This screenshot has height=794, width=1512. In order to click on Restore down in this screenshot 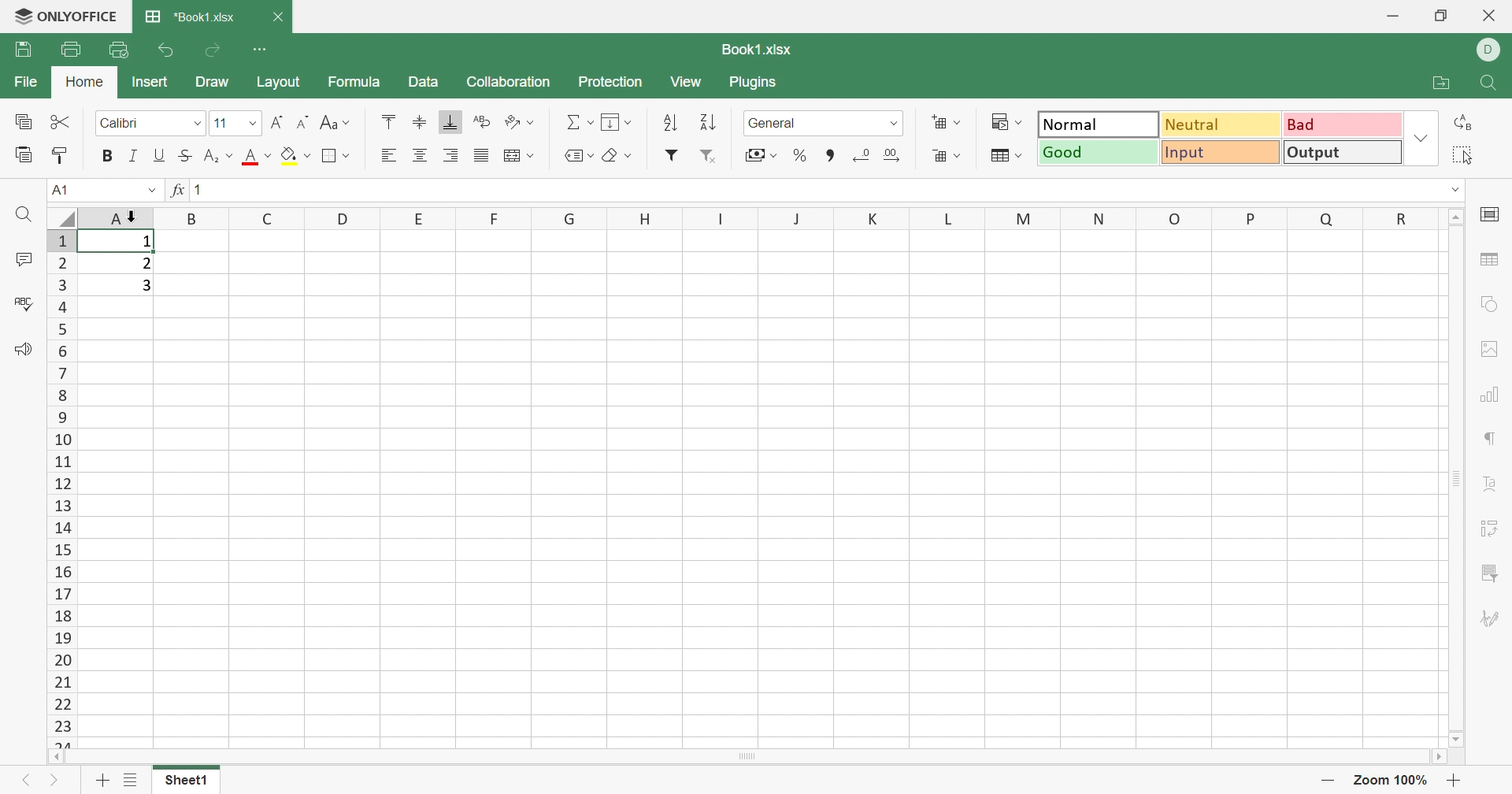, I will do `click(1441, 17)`.